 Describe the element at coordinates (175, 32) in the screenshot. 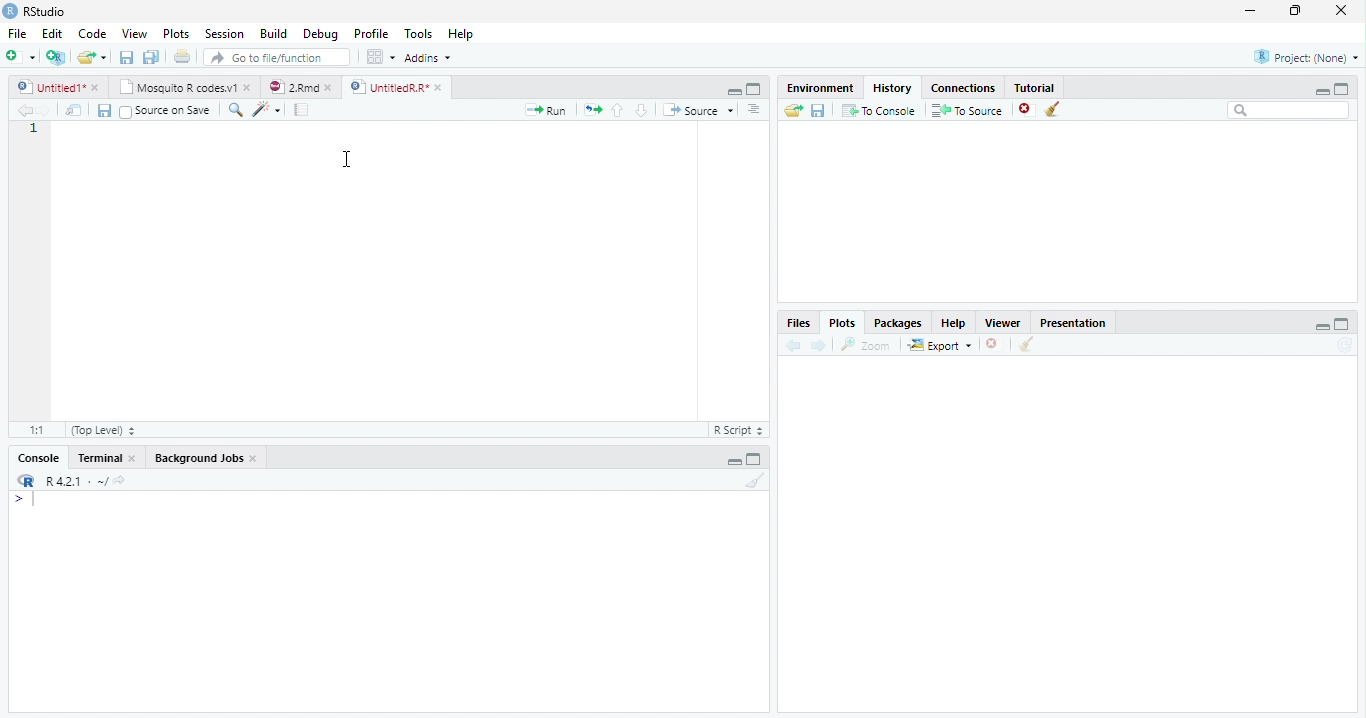

I see `Plots` at that location.